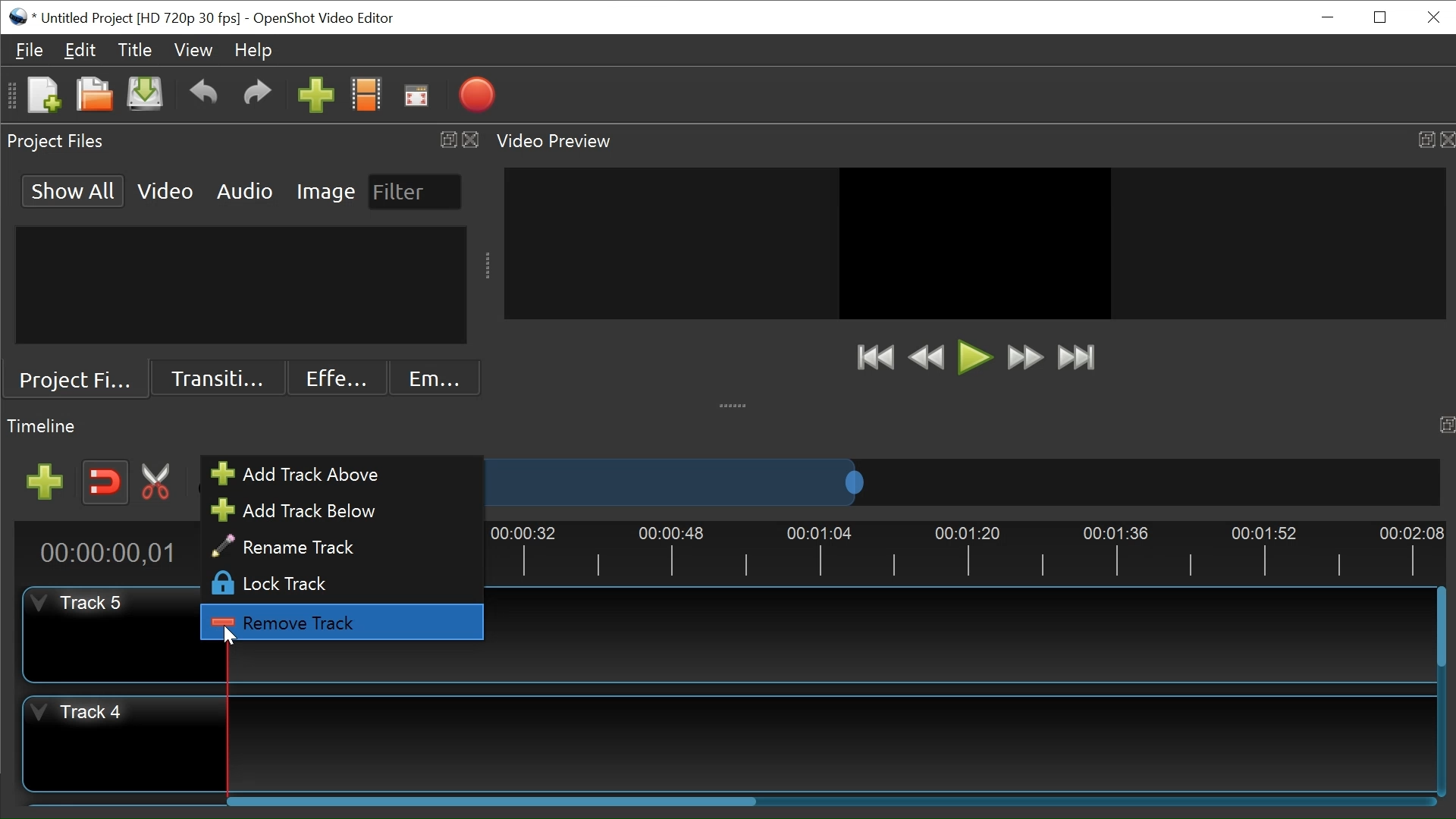  What do you see at coordinates (976, 243) in the screenshot?
I see `Preview Window` at bounding box center [976, 243].